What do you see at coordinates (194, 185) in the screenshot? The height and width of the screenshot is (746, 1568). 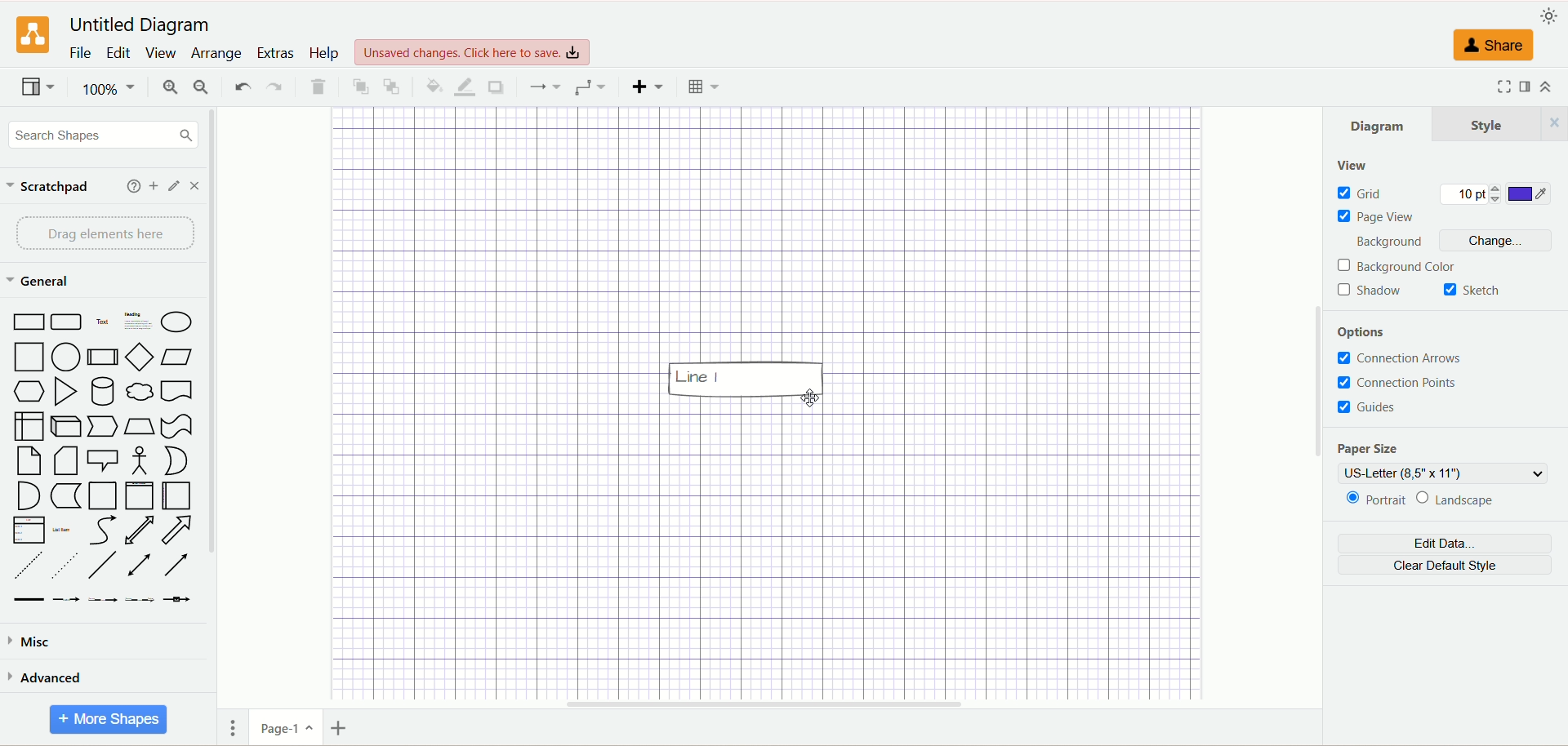 I see `close` at bounding box center [194, 185].